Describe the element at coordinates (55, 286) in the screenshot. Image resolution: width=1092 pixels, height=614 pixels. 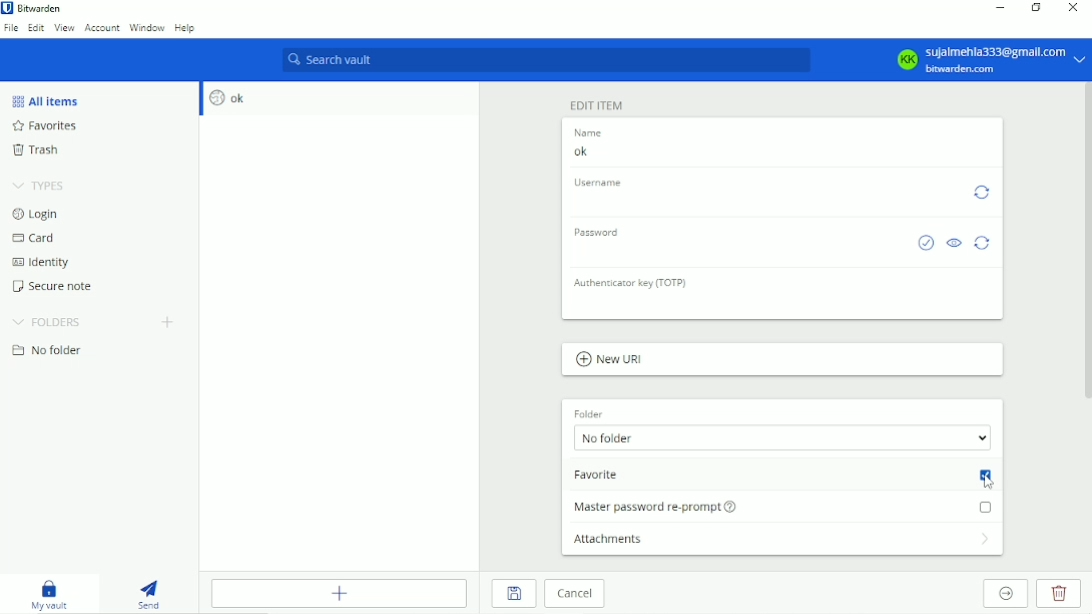
I see `Secure note` at that location.